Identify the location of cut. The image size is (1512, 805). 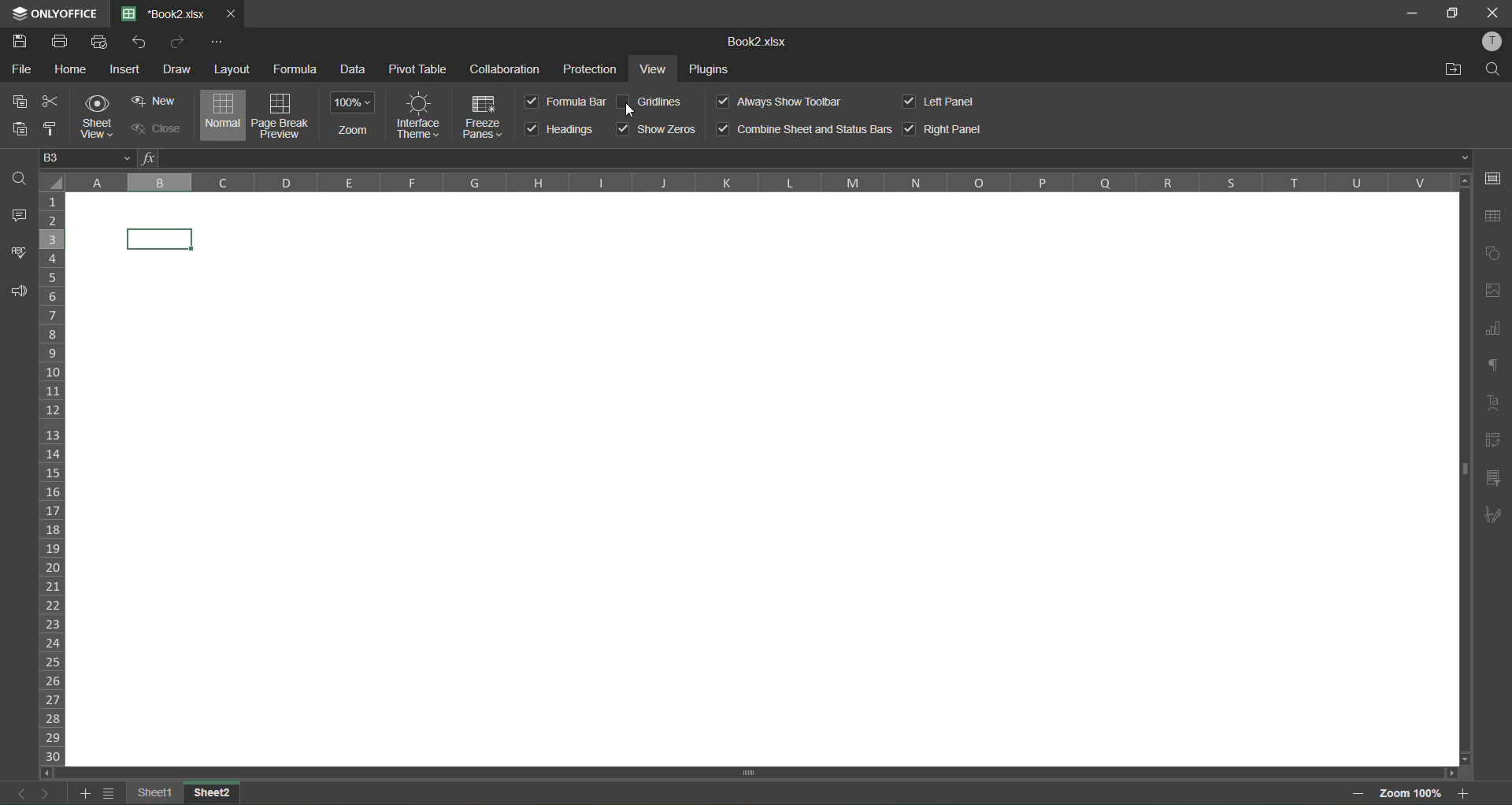
(50, 103).